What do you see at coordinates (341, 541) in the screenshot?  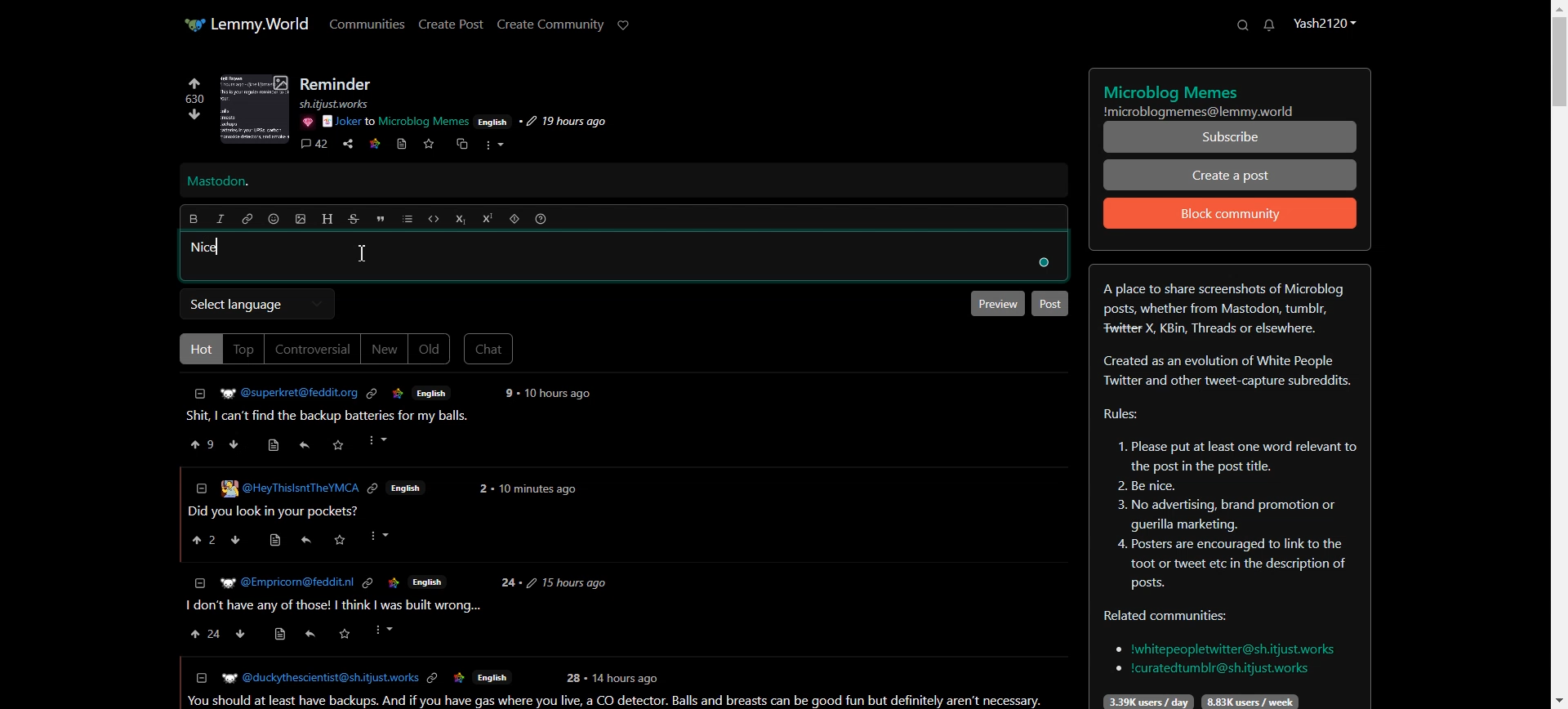 I see `` at bounding box center [341, 541].